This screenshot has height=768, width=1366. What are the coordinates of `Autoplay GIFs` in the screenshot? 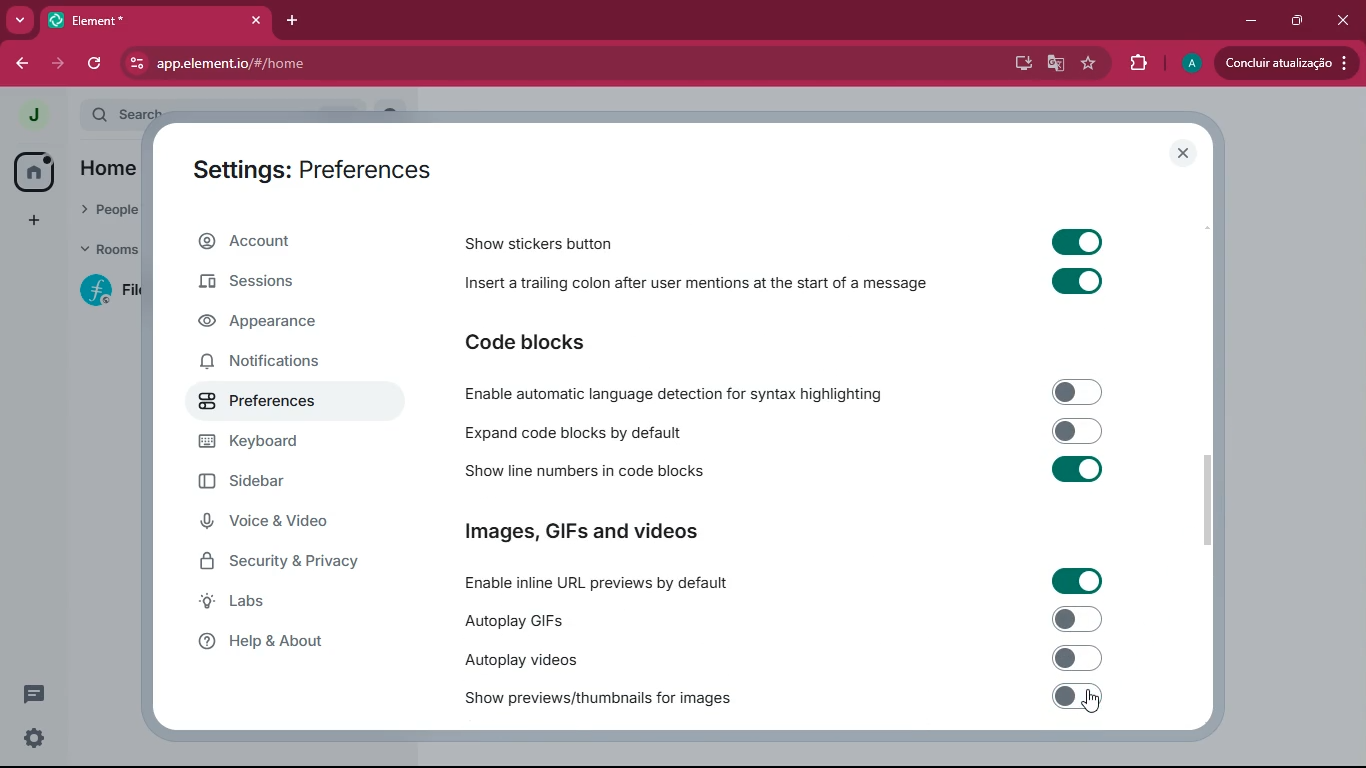 It's located at (523, 619).